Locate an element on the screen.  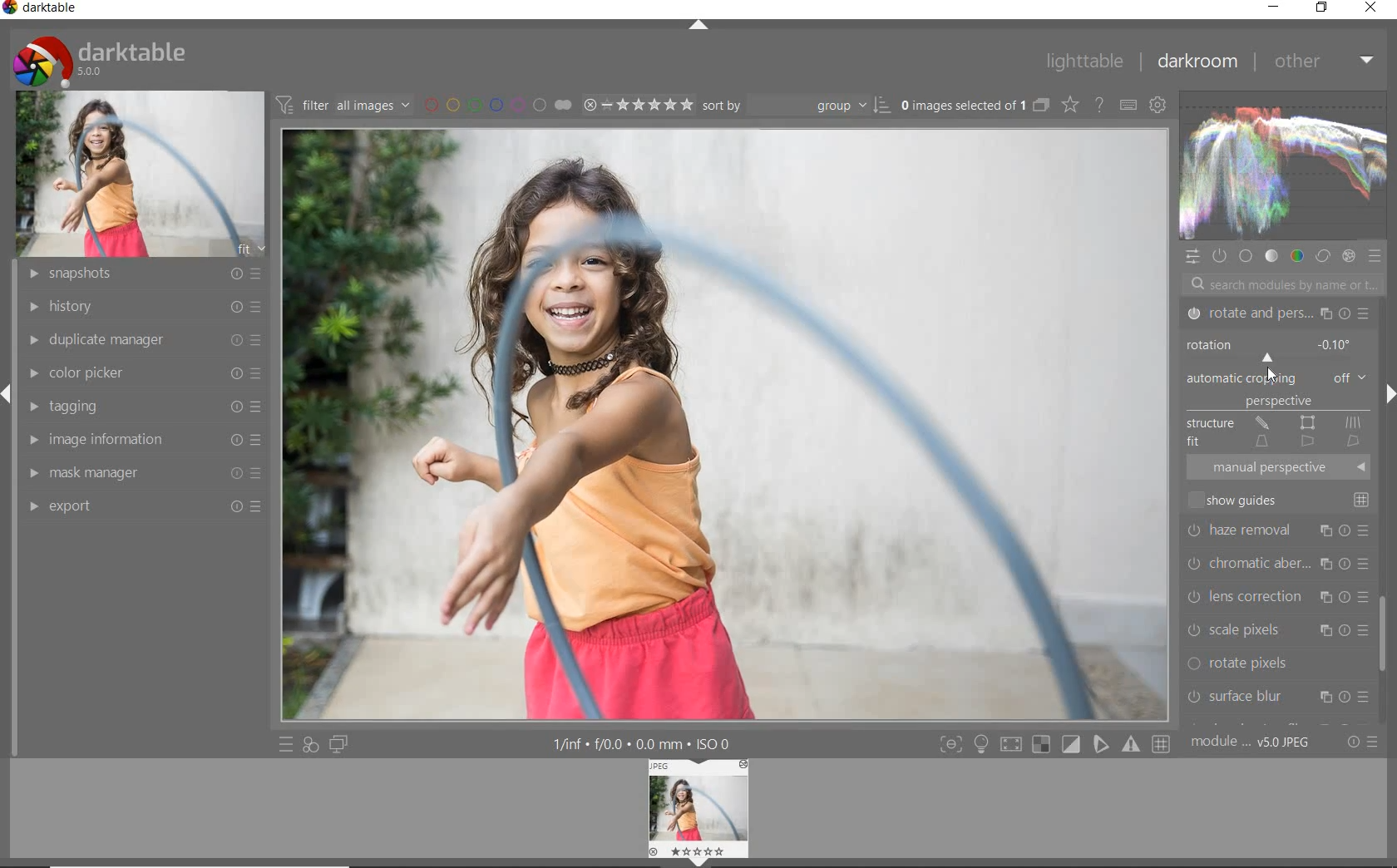
expand/collapse is located at coordinates (697, 27).